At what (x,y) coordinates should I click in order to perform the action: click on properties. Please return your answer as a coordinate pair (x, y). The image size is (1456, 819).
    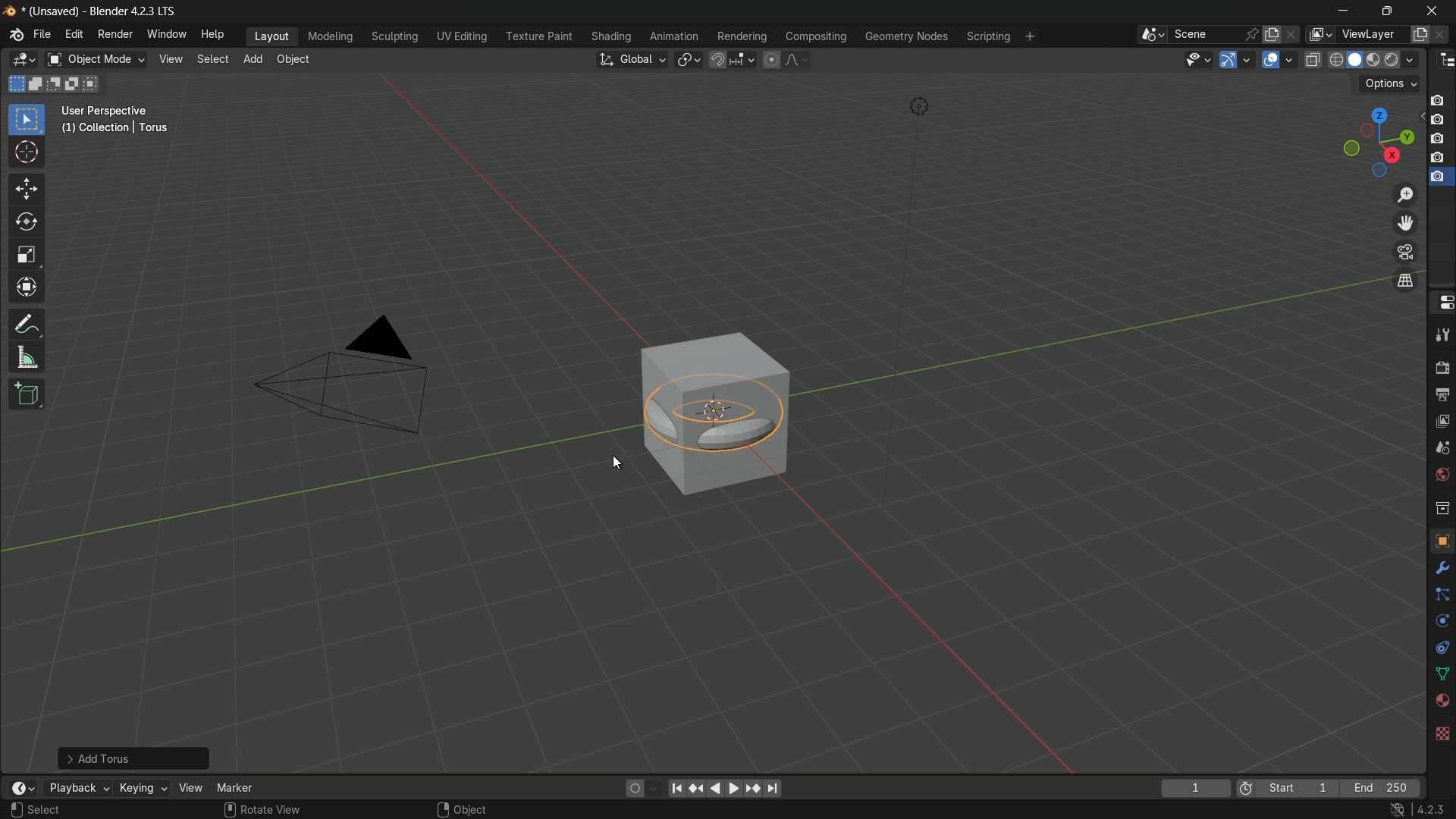
    Looking at the image, I should click on (1442, 302).